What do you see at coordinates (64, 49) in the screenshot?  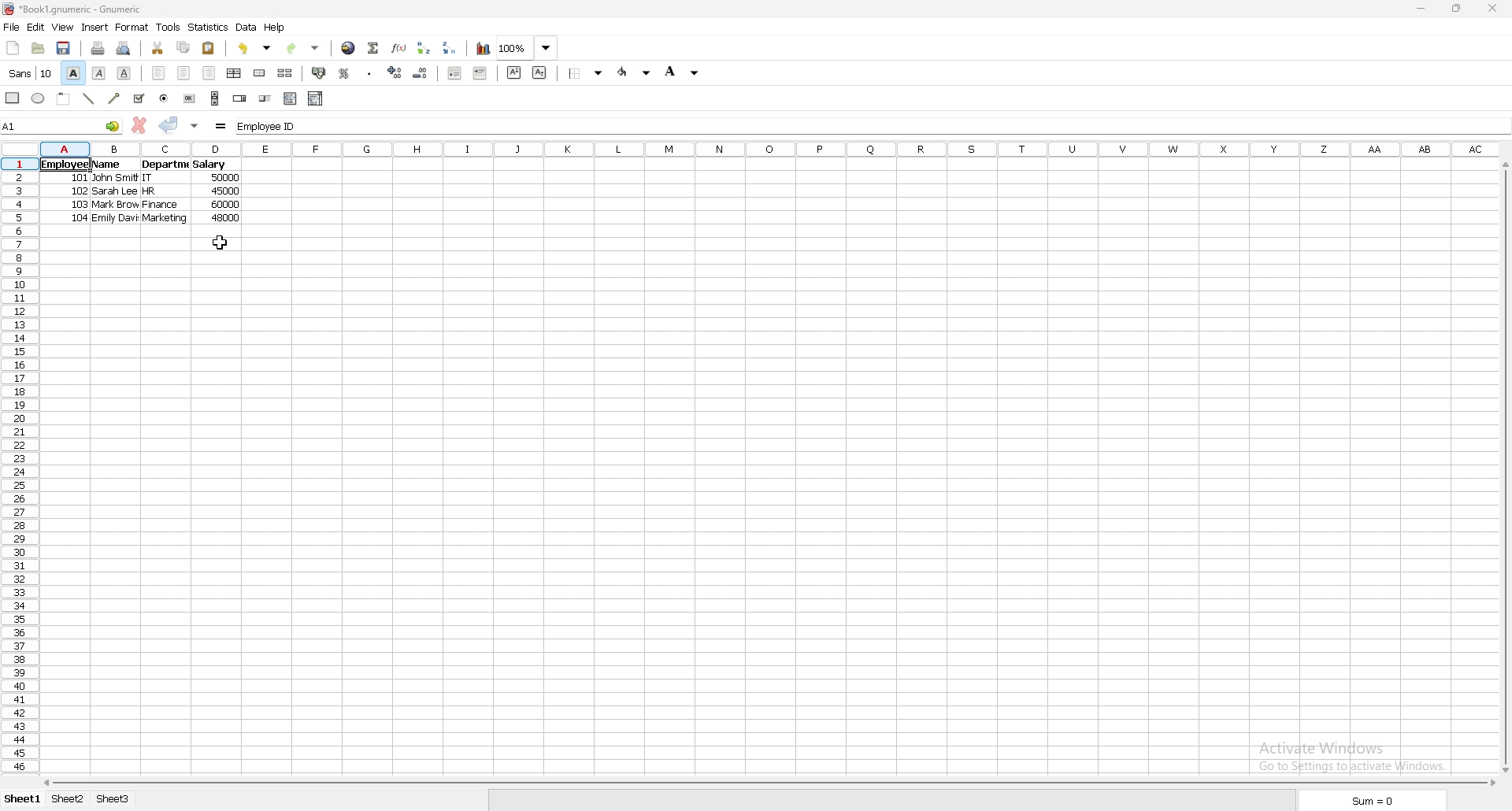 I see `save` at bounding box center [64, 49].